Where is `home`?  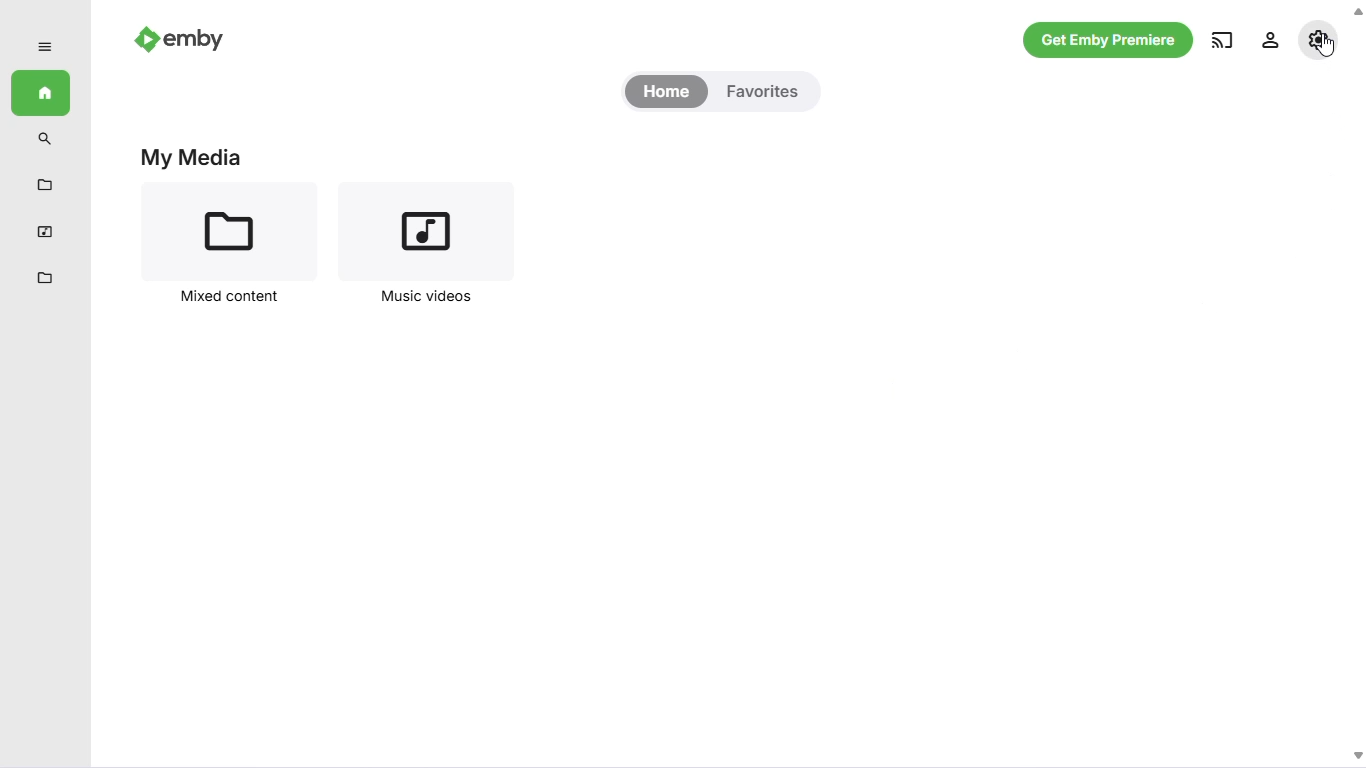
home is located at coordinates (666, 92).